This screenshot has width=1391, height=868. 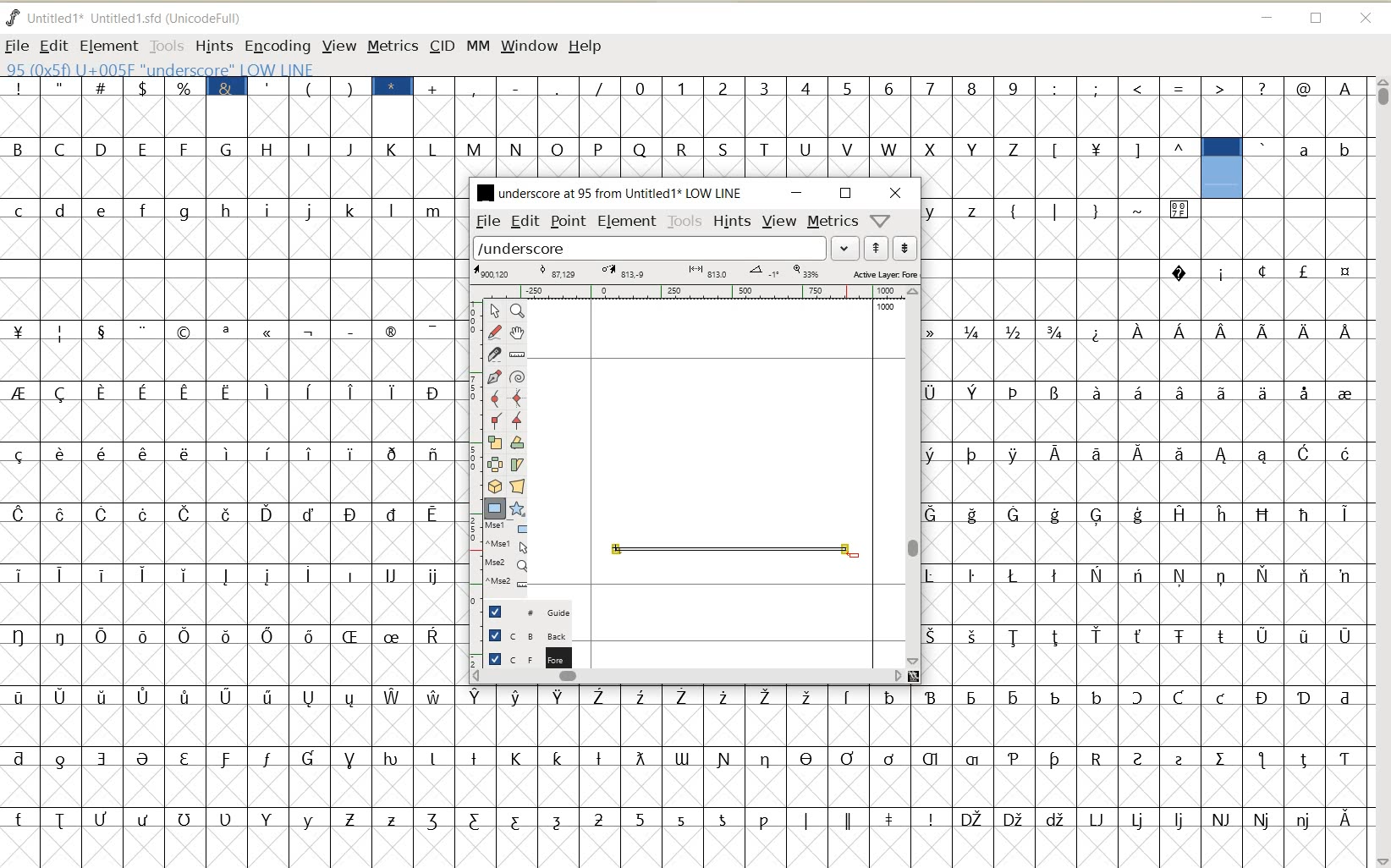 I want to click on pointer, so click(x=493, y=311).